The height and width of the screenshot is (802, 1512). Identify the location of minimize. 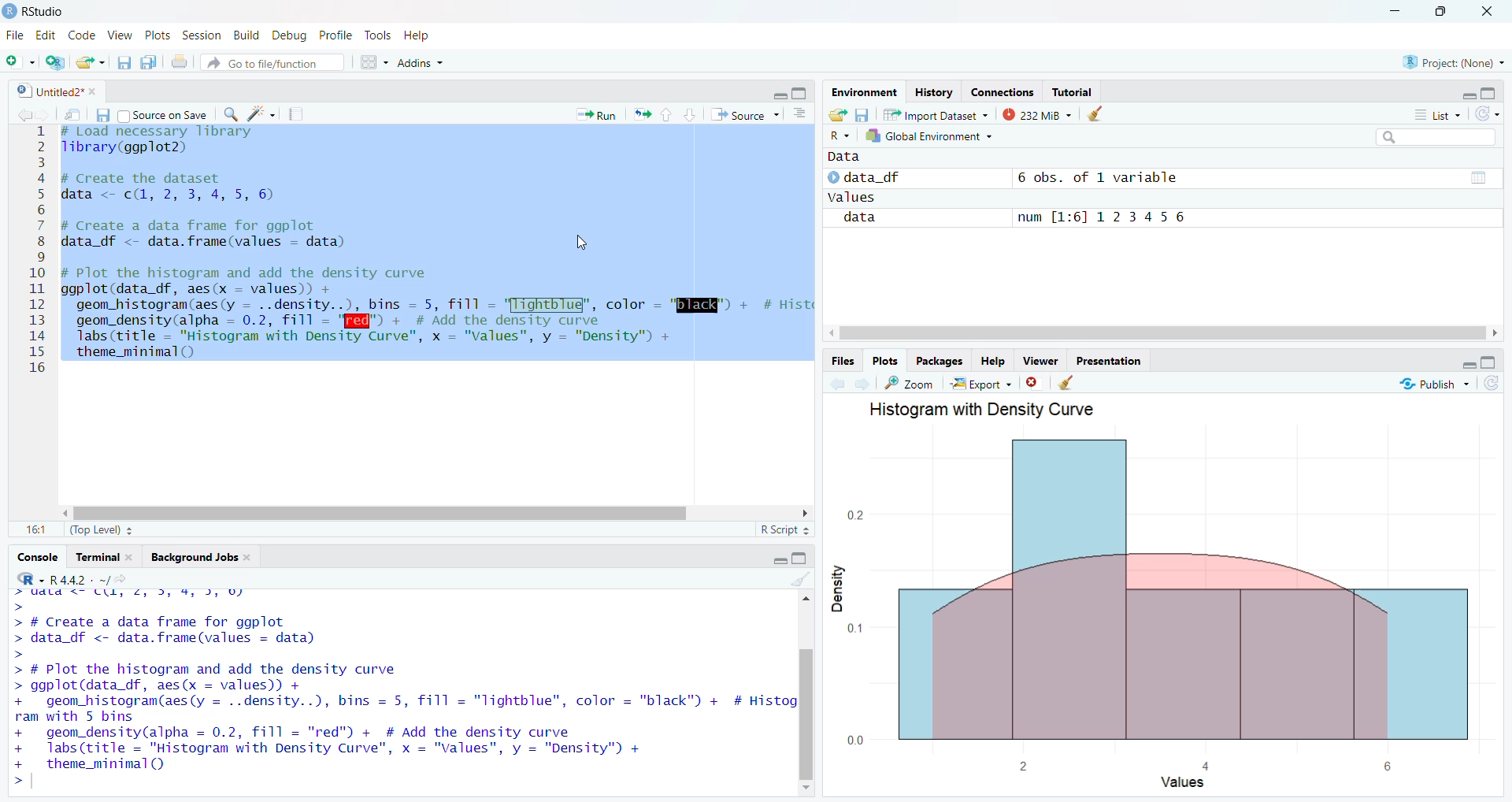
(1393, 13).